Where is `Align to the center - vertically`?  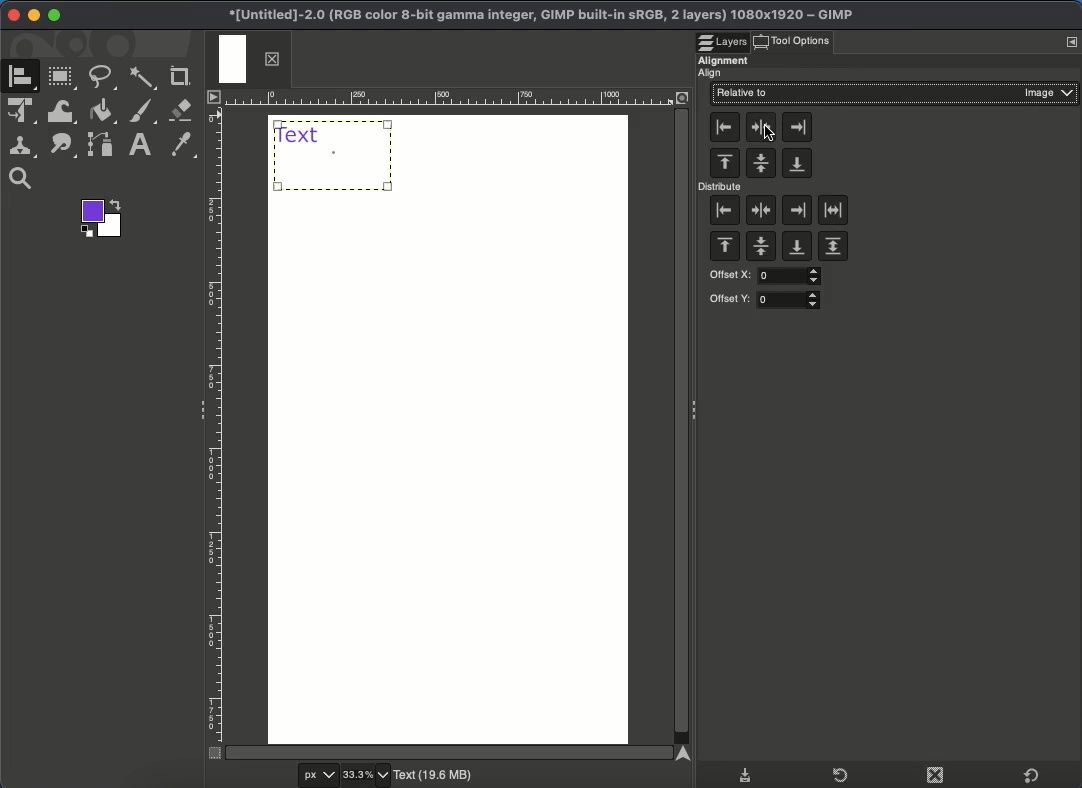
Align to the center - vertically is located at coordinates (762, 127).